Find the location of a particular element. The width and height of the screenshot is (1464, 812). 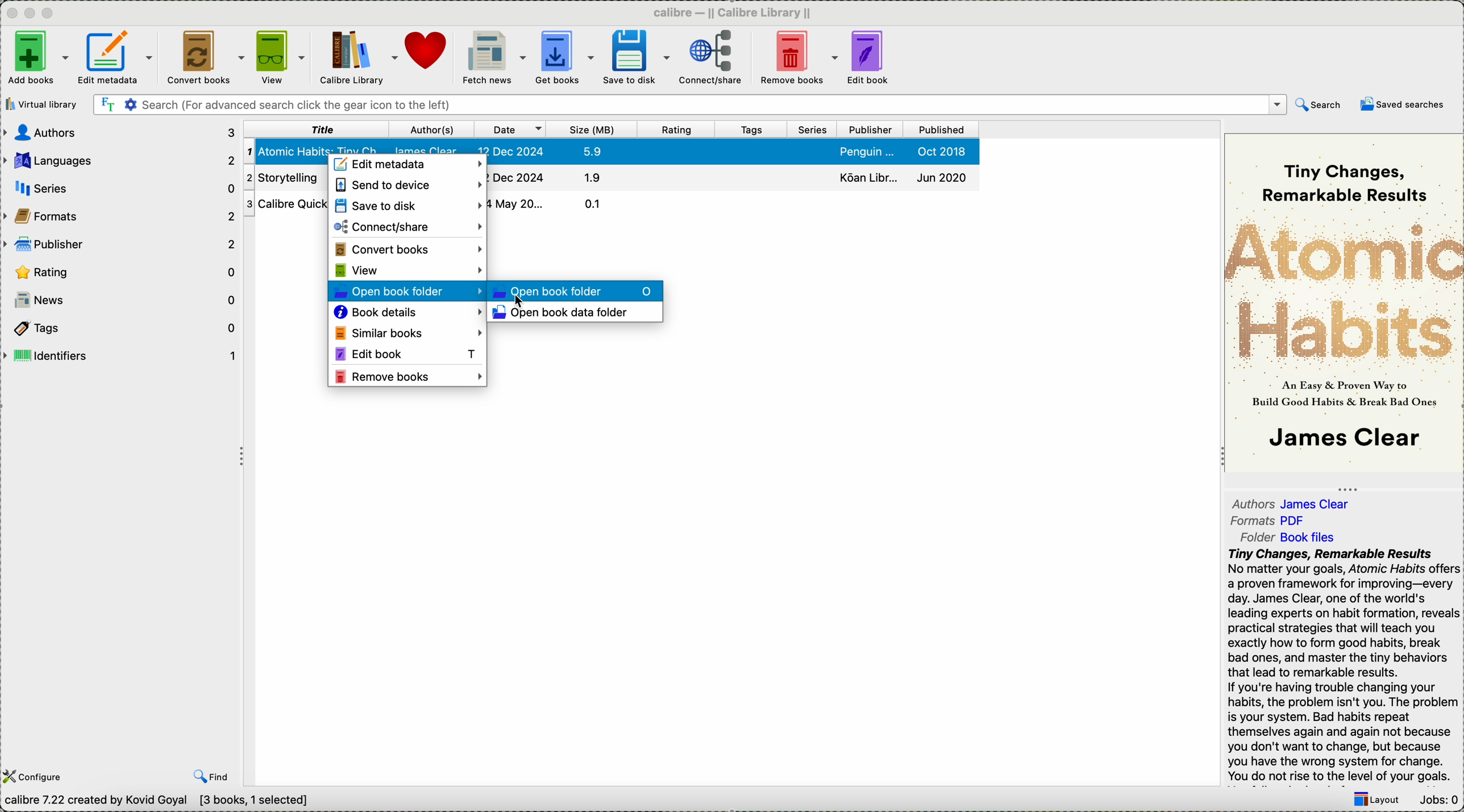

second book is located at coordinates (286, 177).